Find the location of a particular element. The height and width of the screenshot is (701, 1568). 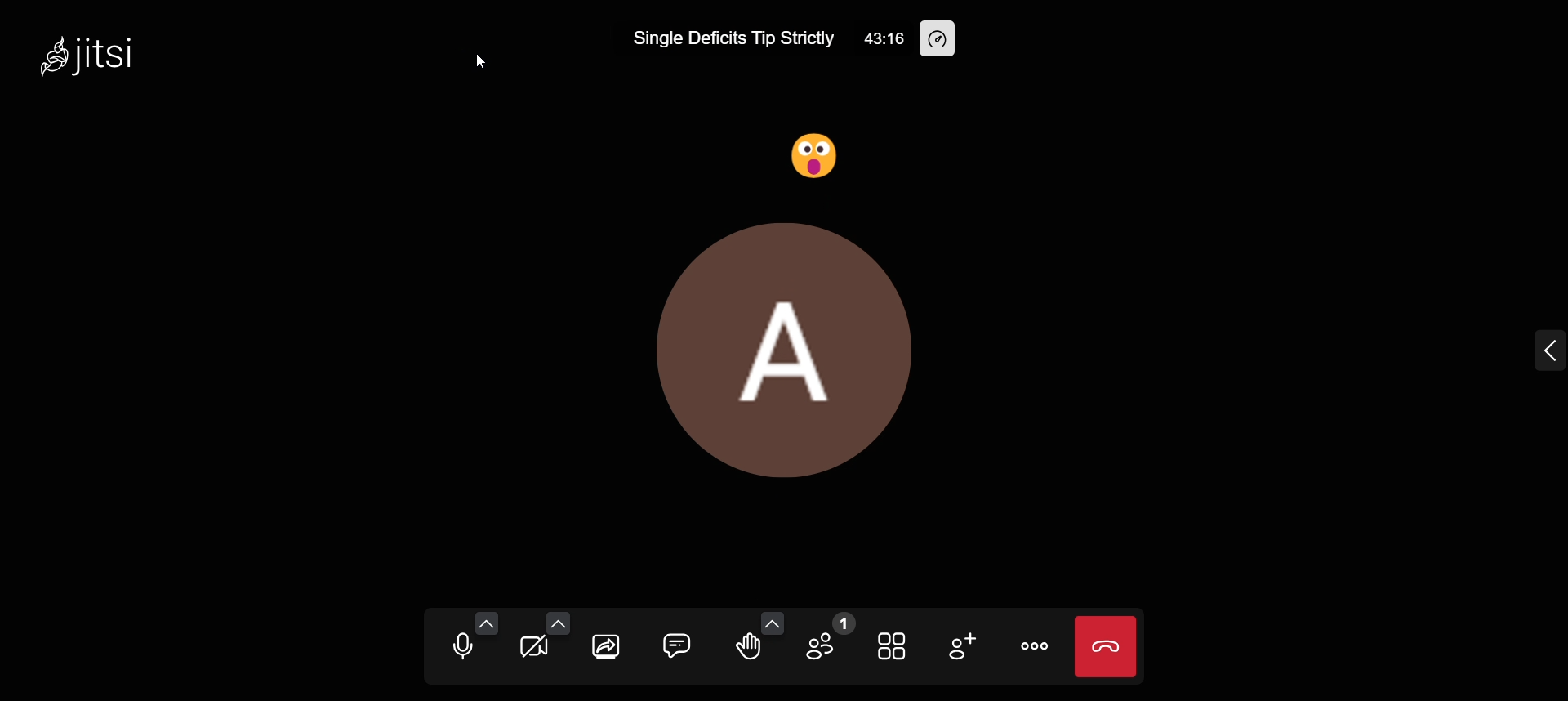

toggle tile view is located at coordinates (892, 643).